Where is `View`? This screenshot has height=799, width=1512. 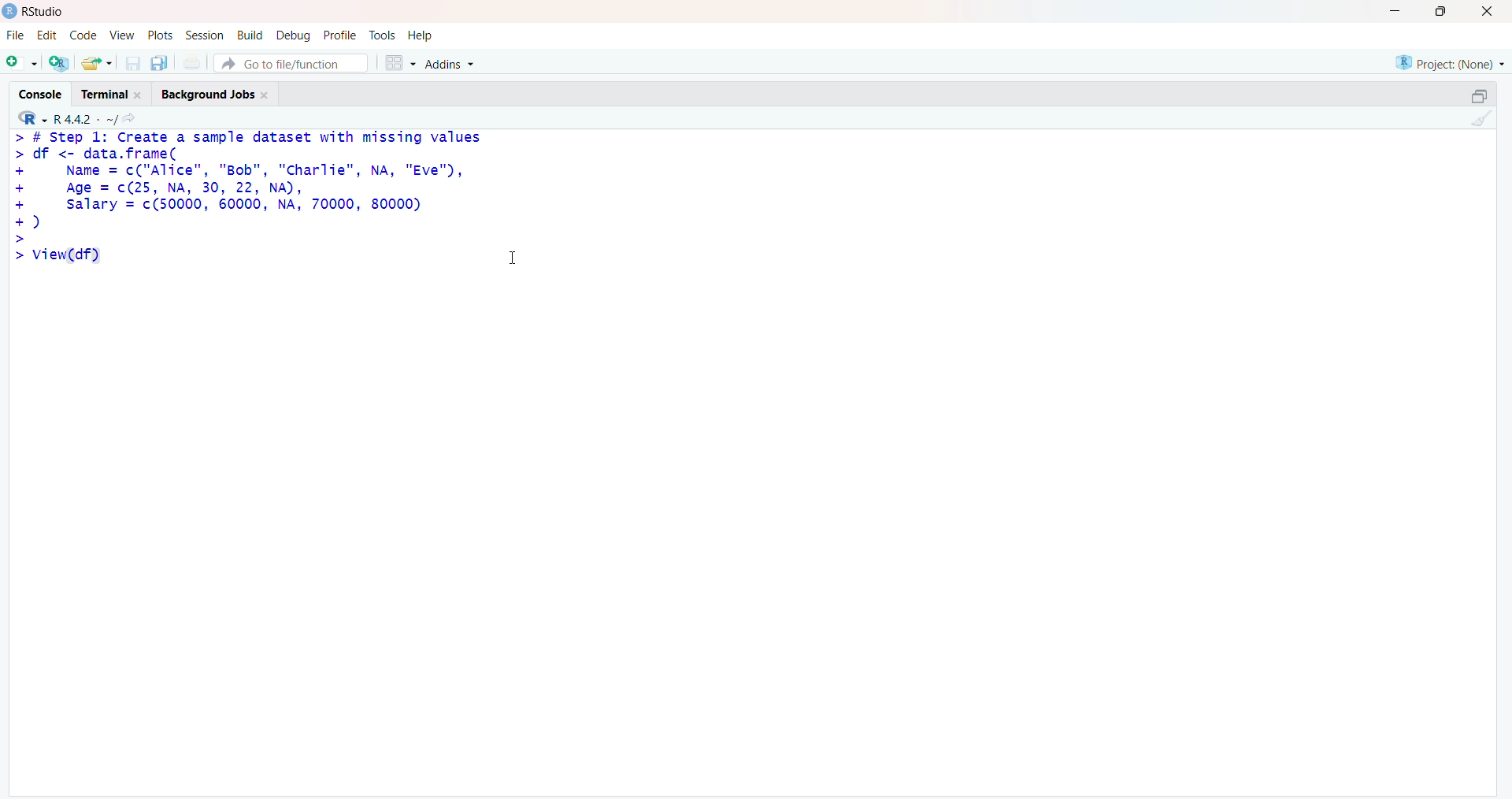
View is located at coordinates (121, 36).